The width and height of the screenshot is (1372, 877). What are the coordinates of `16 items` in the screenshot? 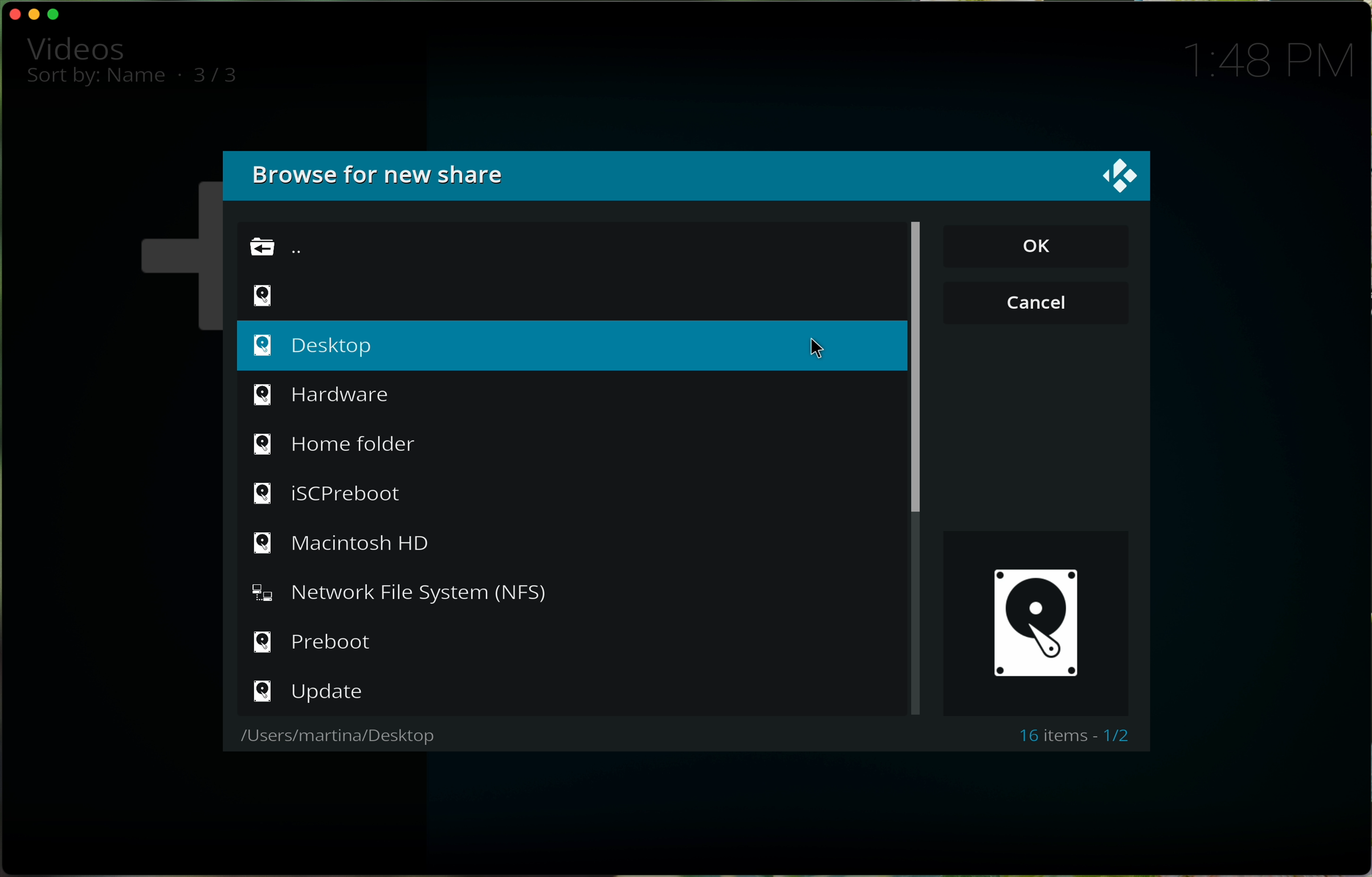 It's located at (1052, 737).